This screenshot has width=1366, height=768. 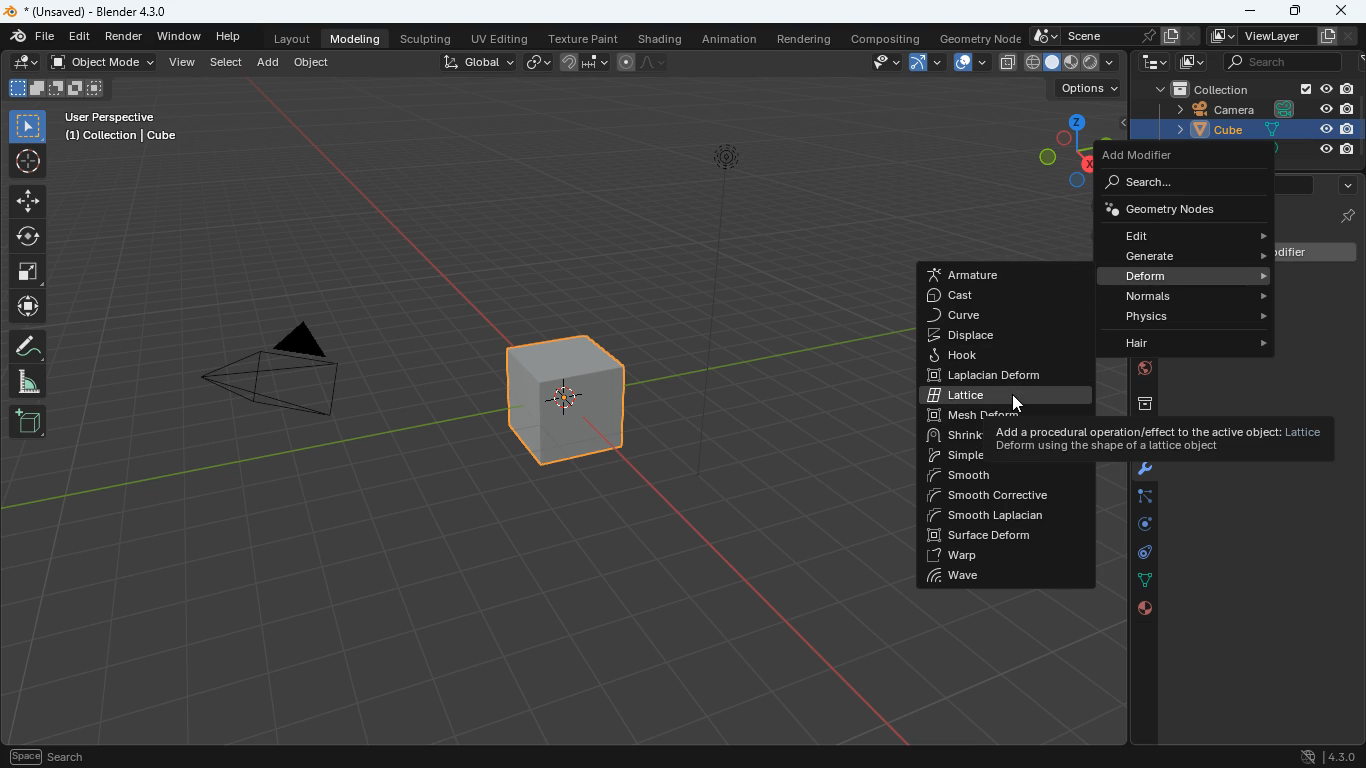 What do you see at coordinates (1001, 537) in the screenshot?
I see `surface deform` at bounding box center [1001, 537].